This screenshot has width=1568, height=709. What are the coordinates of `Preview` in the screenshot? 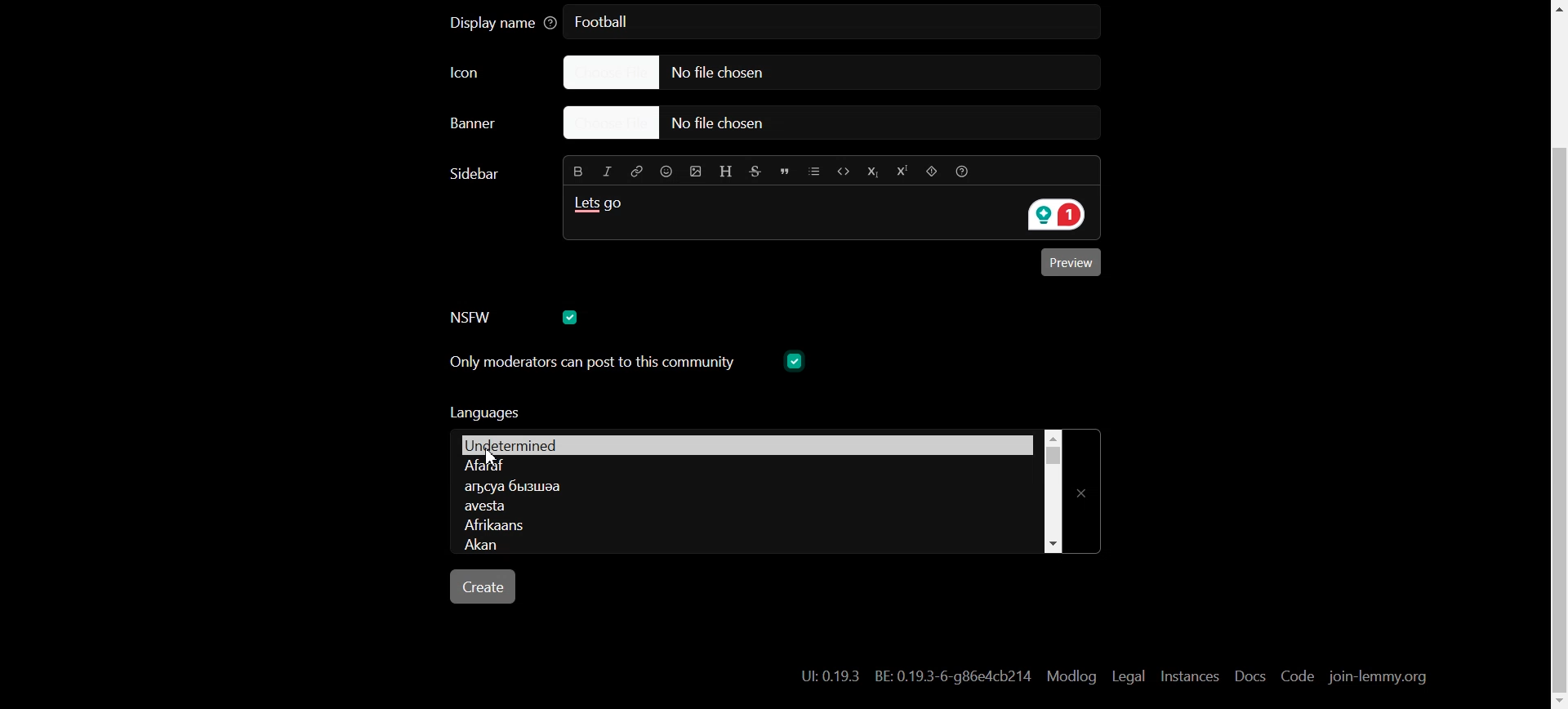 It's located at (1074, 265).